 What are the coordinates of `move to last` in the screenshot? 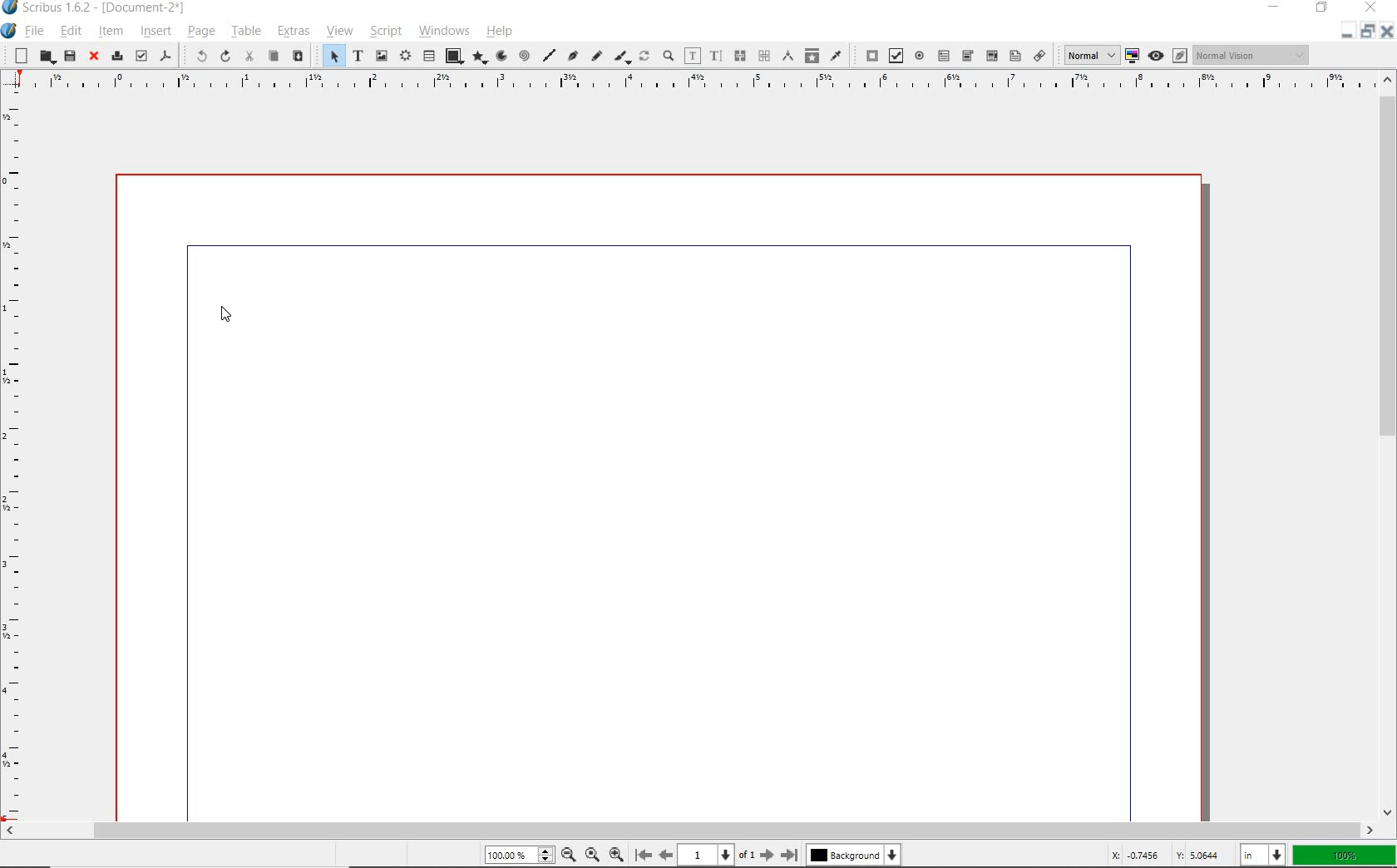 It's located at (792, 852).